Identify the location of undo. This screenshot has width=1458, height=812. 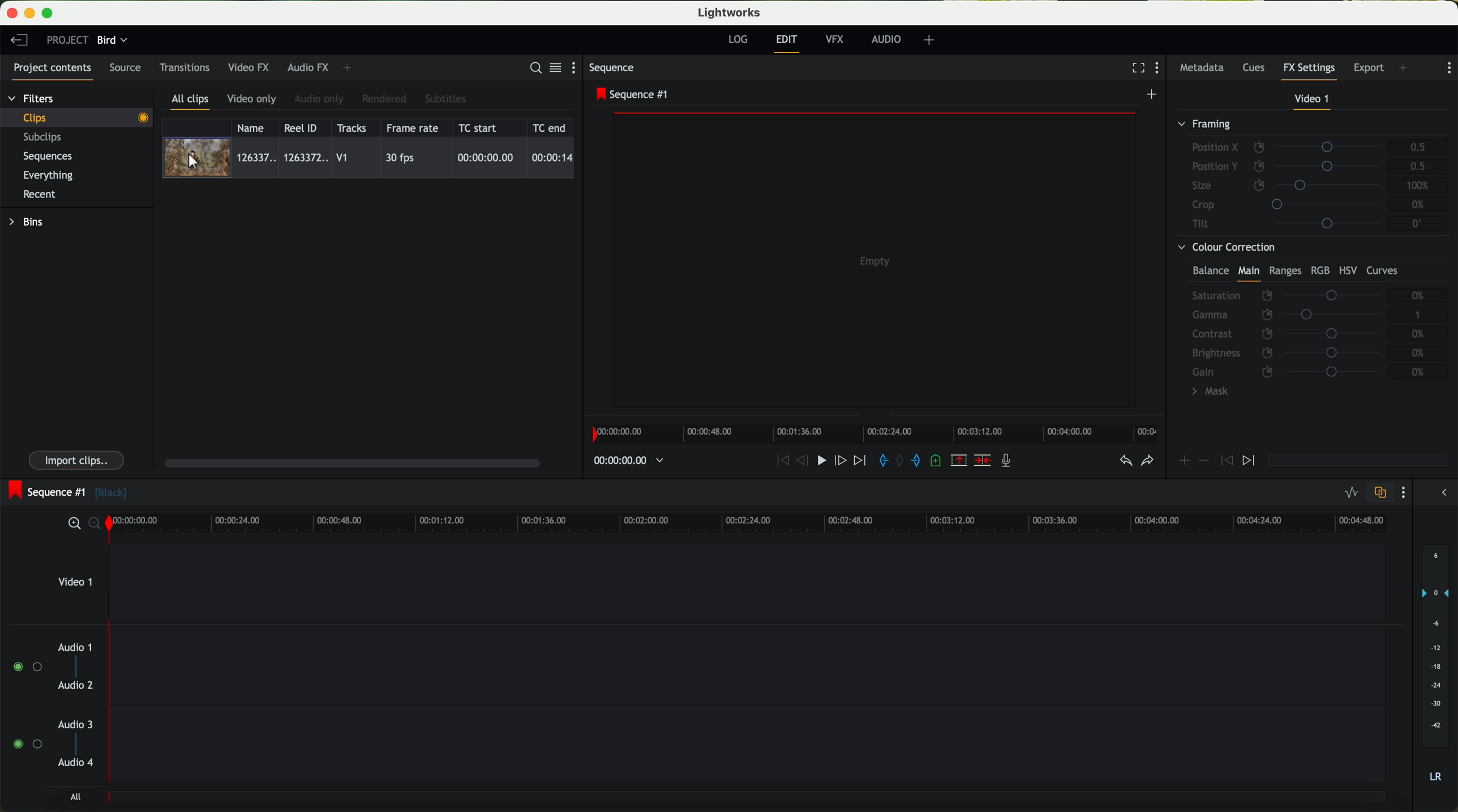
(1125, 461).